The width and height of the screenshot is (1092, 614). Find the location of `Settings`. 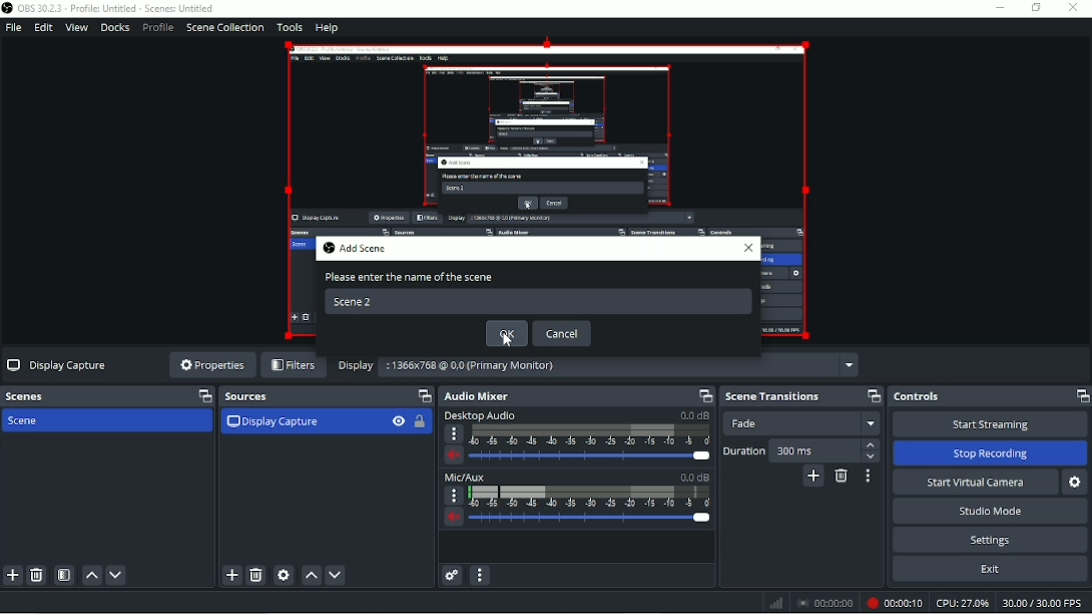

Settings is located at coordinates (992, 540).